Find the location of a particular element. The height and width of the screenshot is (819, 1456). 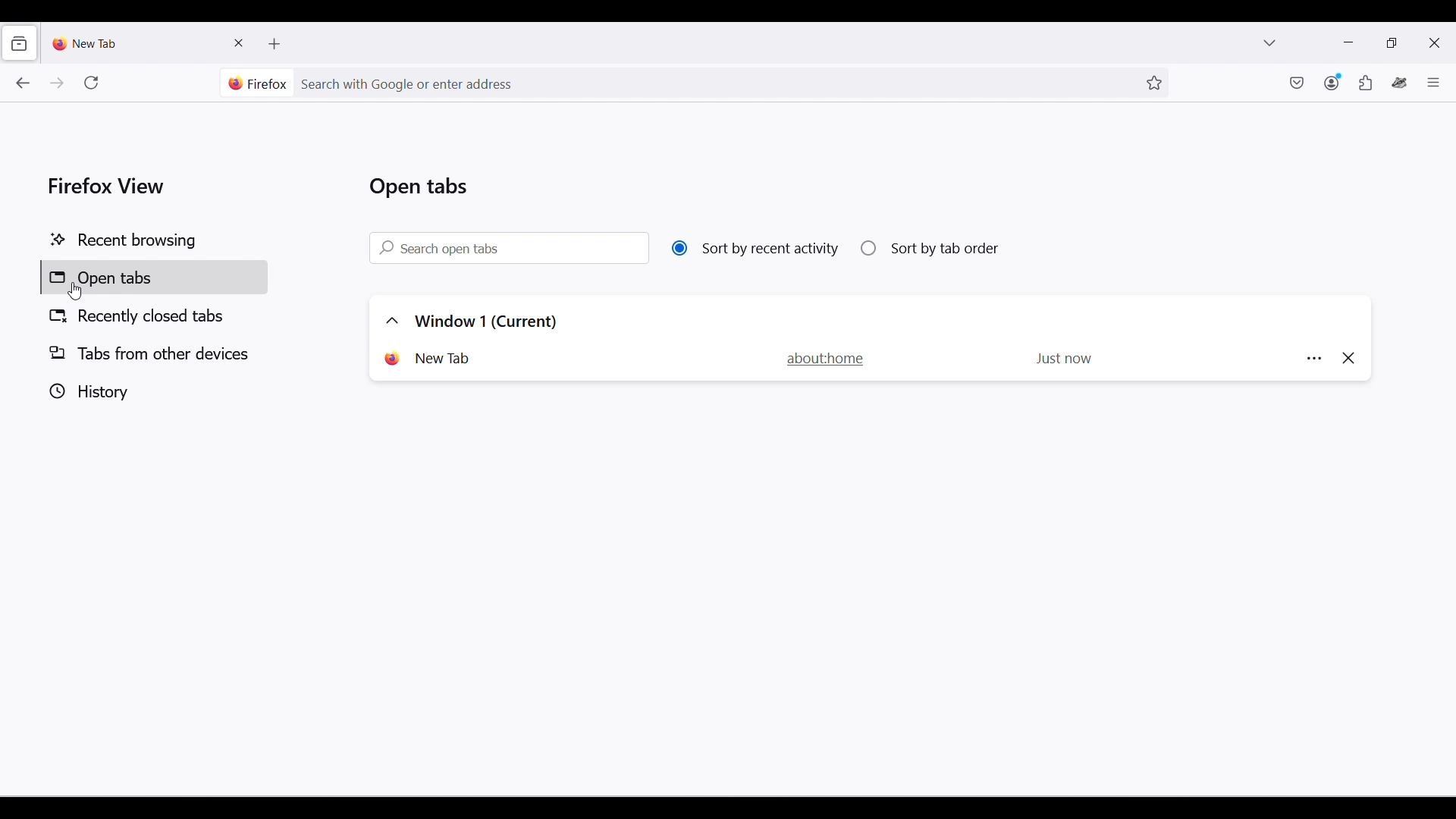

History is located at coordinates (151, 391).